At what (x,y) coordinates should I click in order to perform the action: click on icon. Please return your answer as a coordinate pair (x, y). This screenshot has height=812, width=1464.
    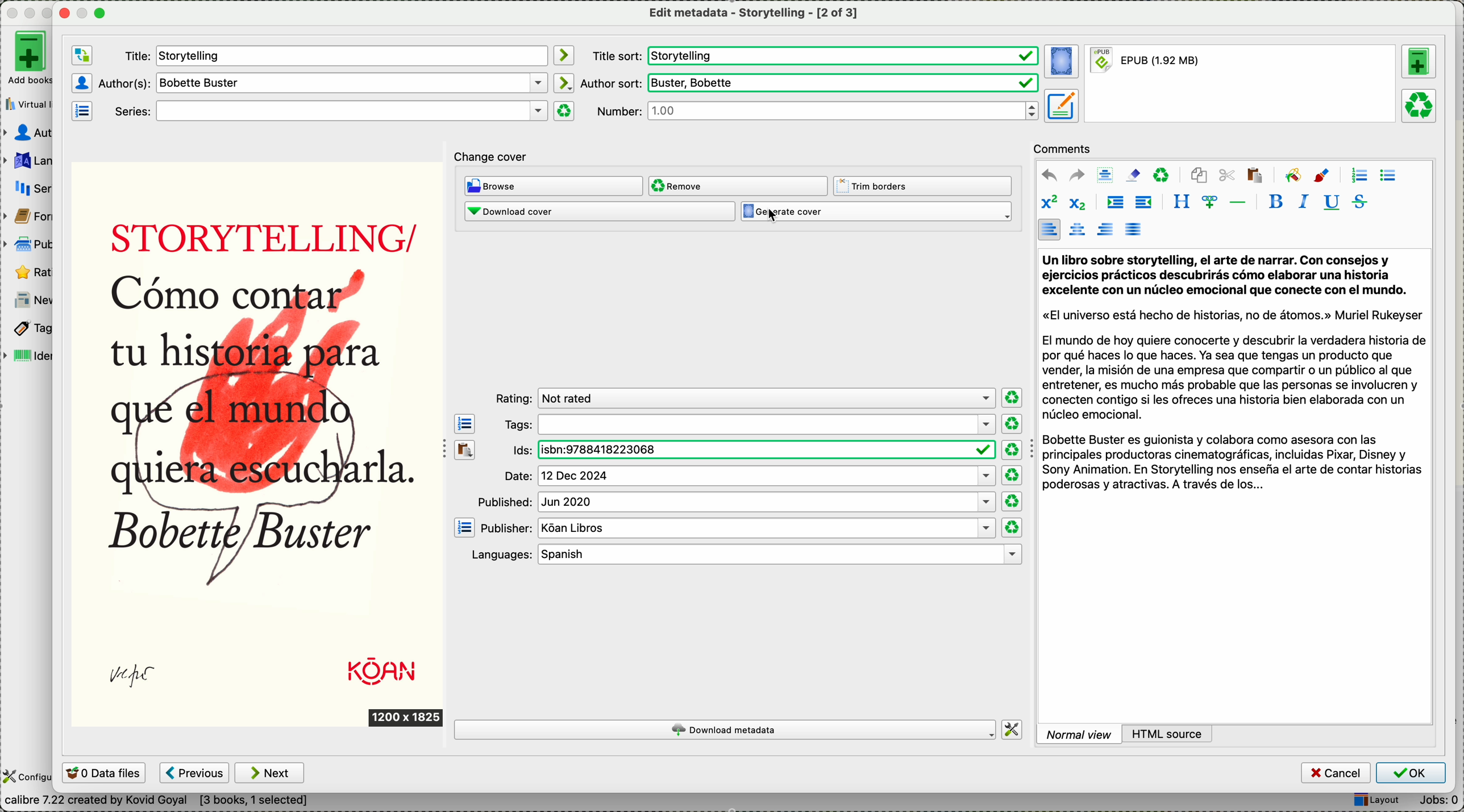
    Looking at the image, I should click on (564, 55).